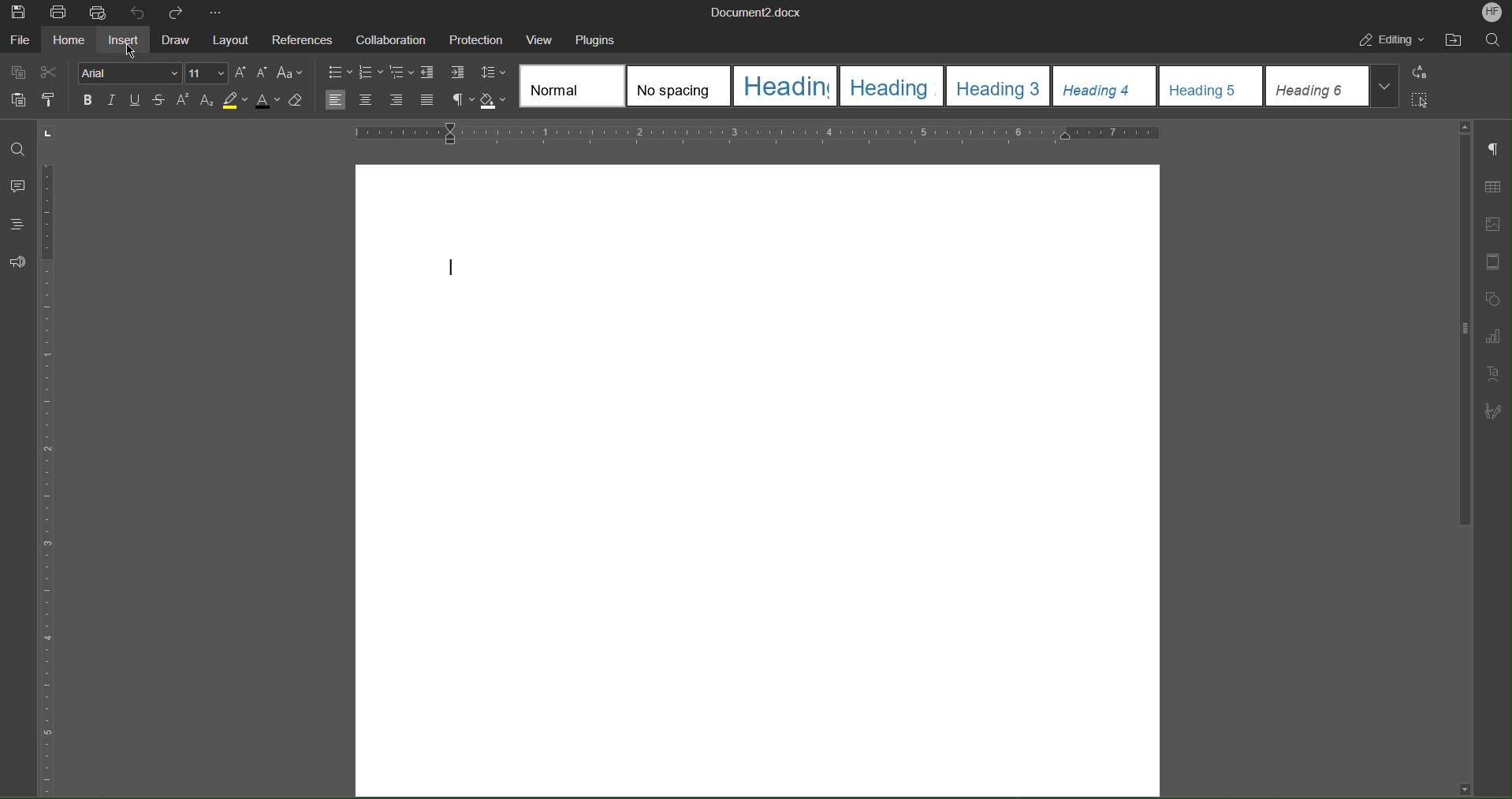  I want to click on Nonprinting Characters, so click(461, 99).